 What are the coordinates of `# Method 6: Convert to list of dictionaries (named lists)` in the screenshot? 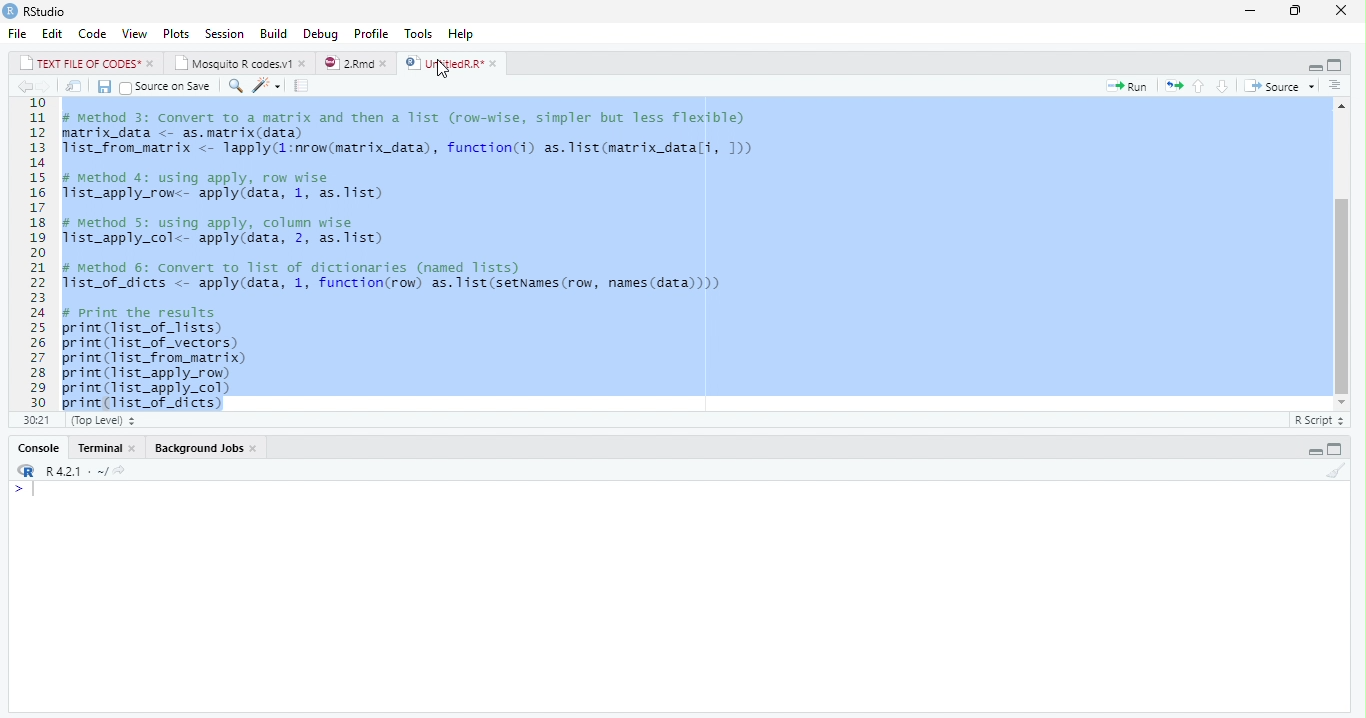 It's located at (301, 266).